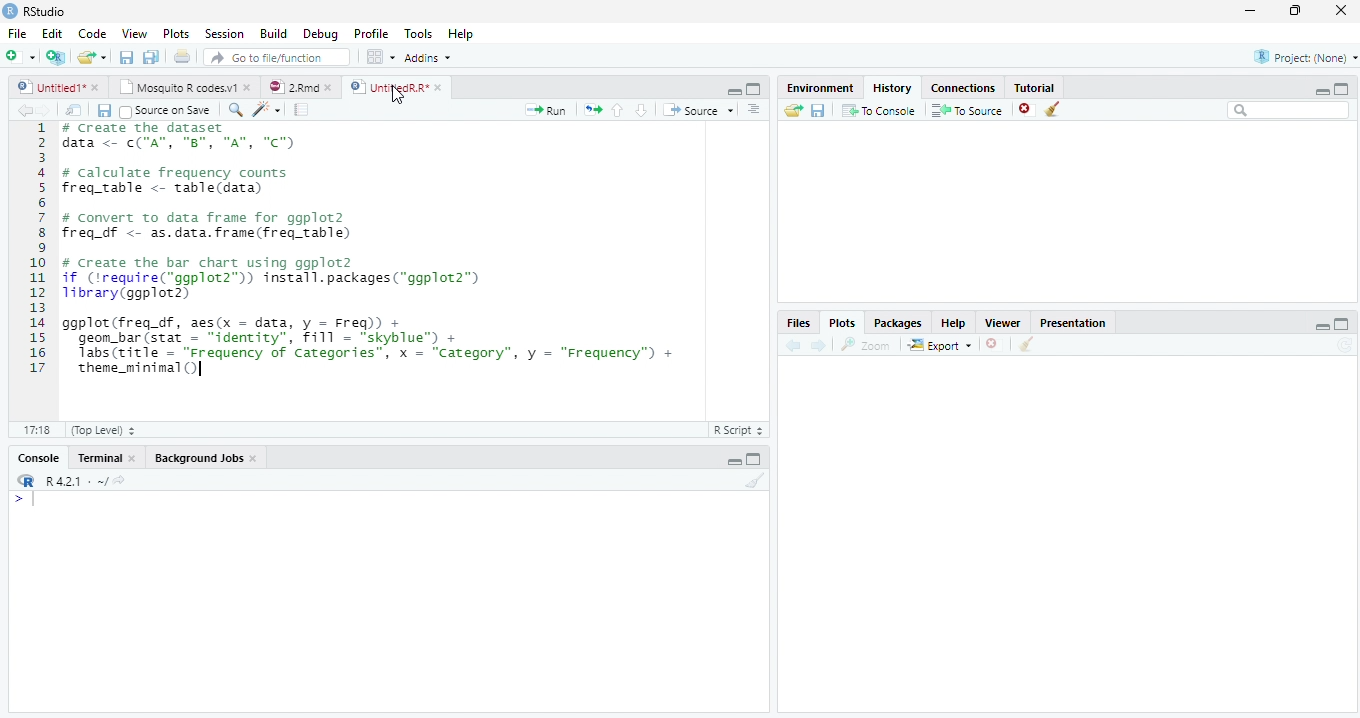  Describe the element at coordinates (50, 110) in the screenshot. I see `Forward` at that location.